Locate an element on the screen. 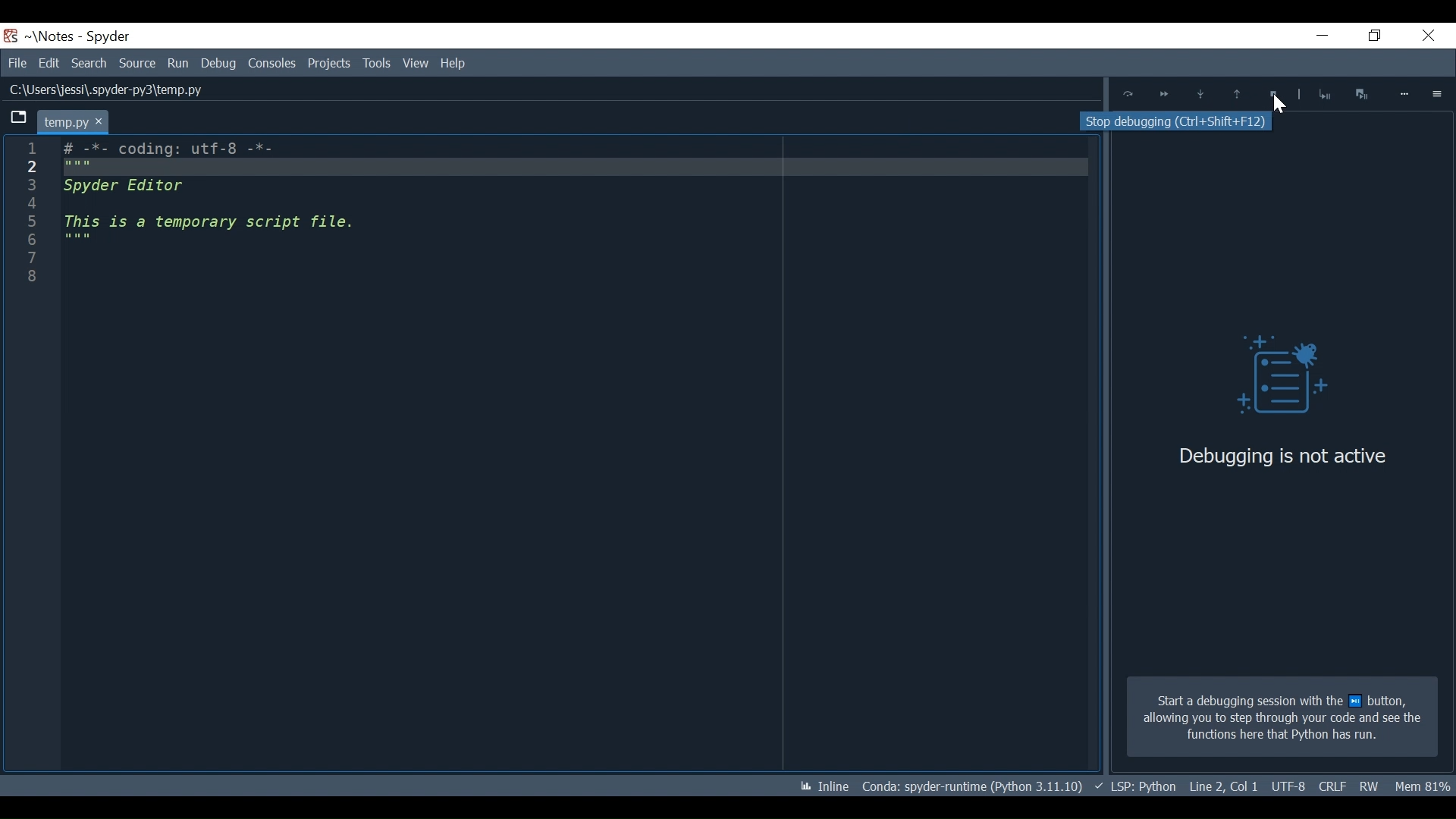 The width and height of the screenshot is (1456, 819). Debug is located at coordinates (1270, 378).